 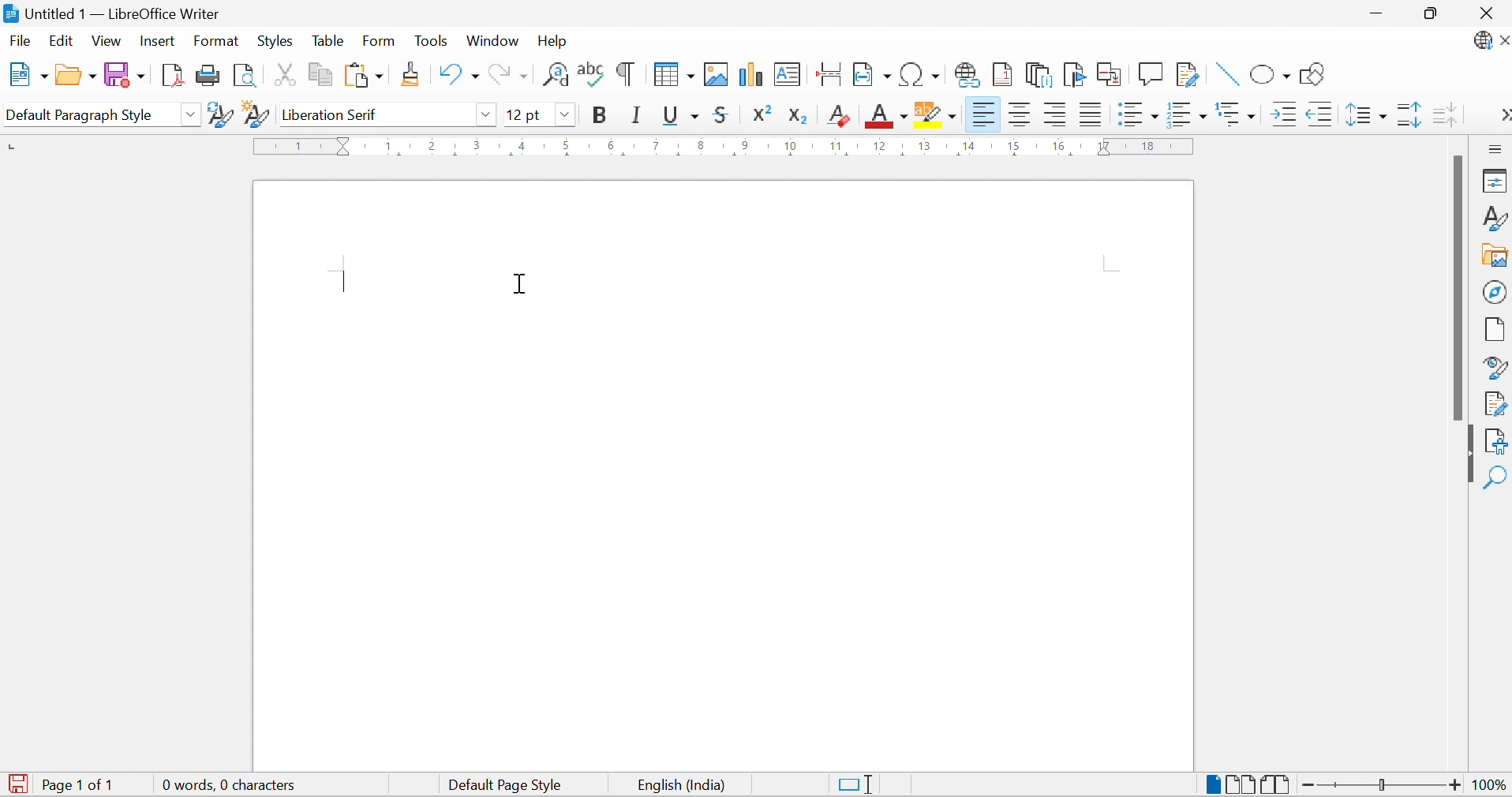 What do you see at coordinates (1188, 114) in the screenshot?
I see `Toggle Ordered List` at bounding box center [1188, 114].